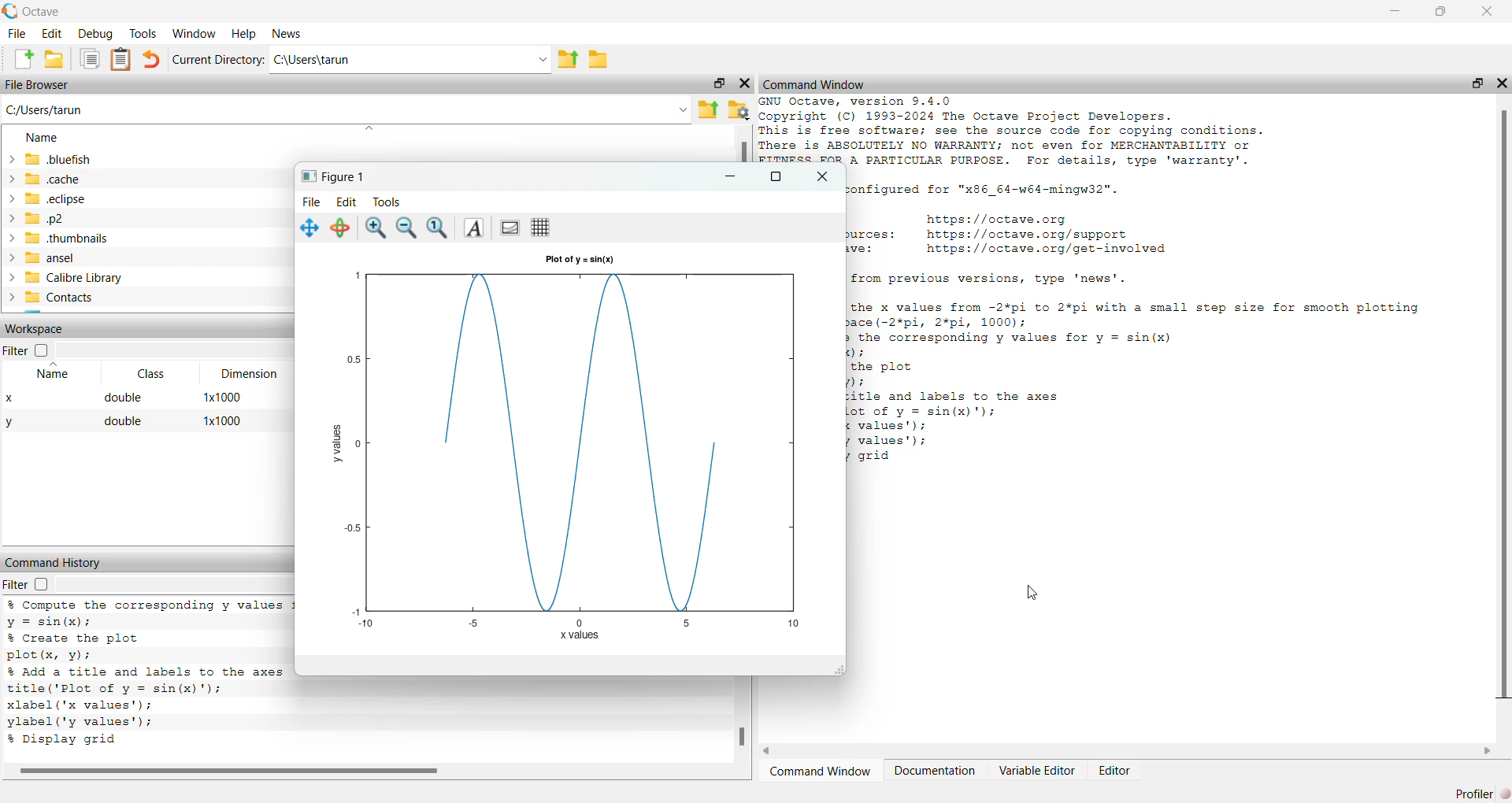  What do you see at coordinates (229, 771) in the screenshot?
I see `scroll bar` at bounding box center [229, 771].